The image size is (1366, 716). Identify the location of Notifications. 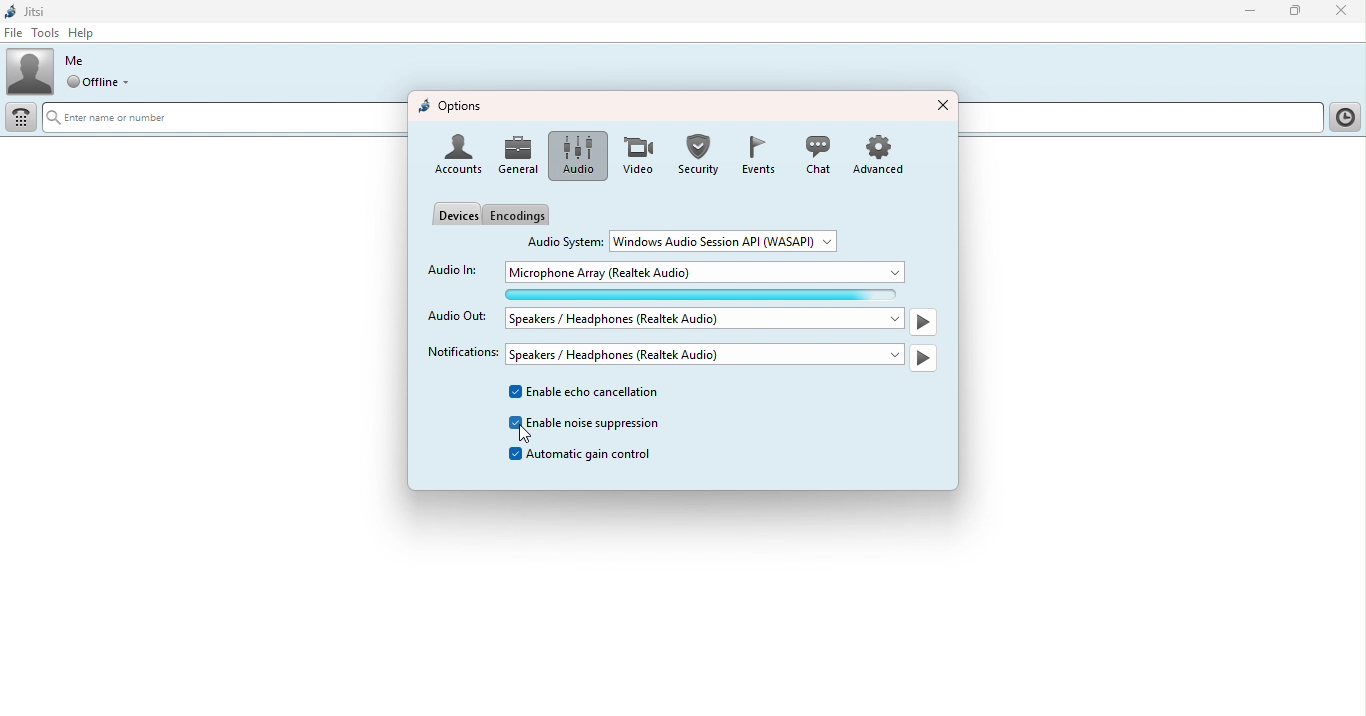
(457, 352).